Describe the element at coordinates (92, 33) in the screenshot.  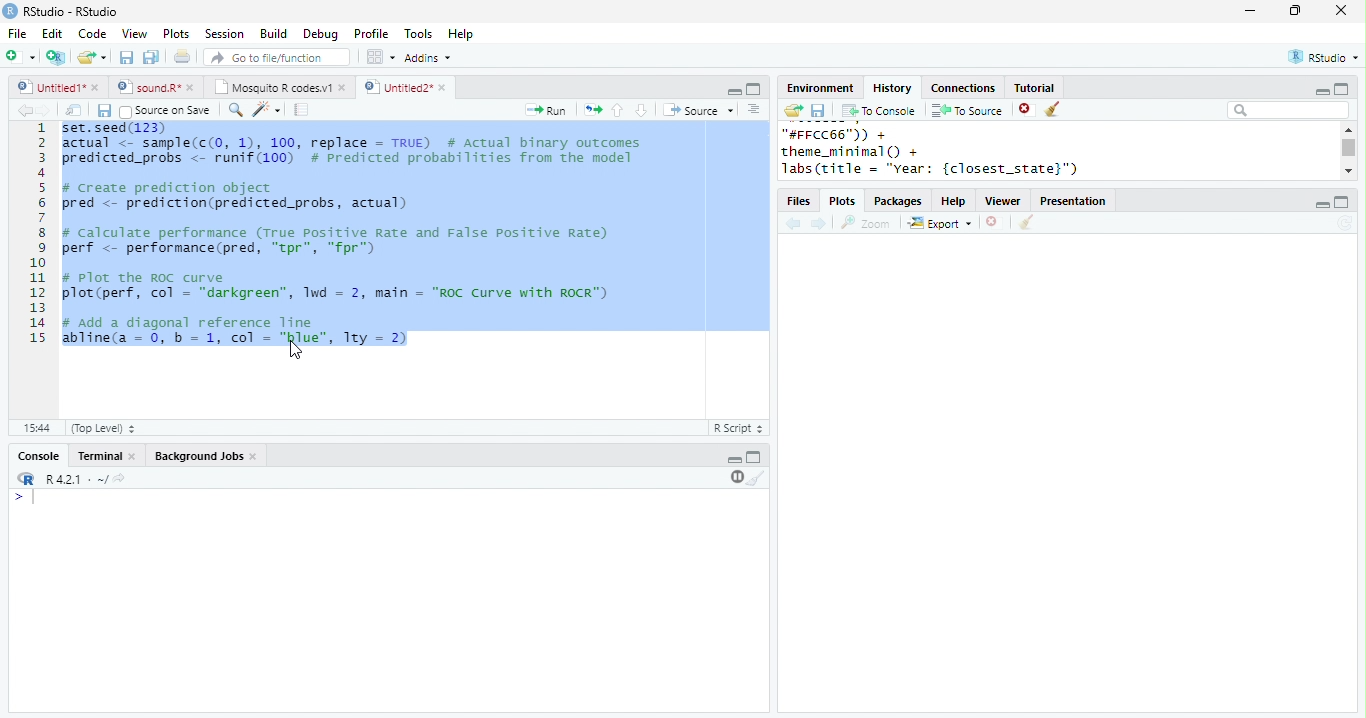
I see `Code` at that location.